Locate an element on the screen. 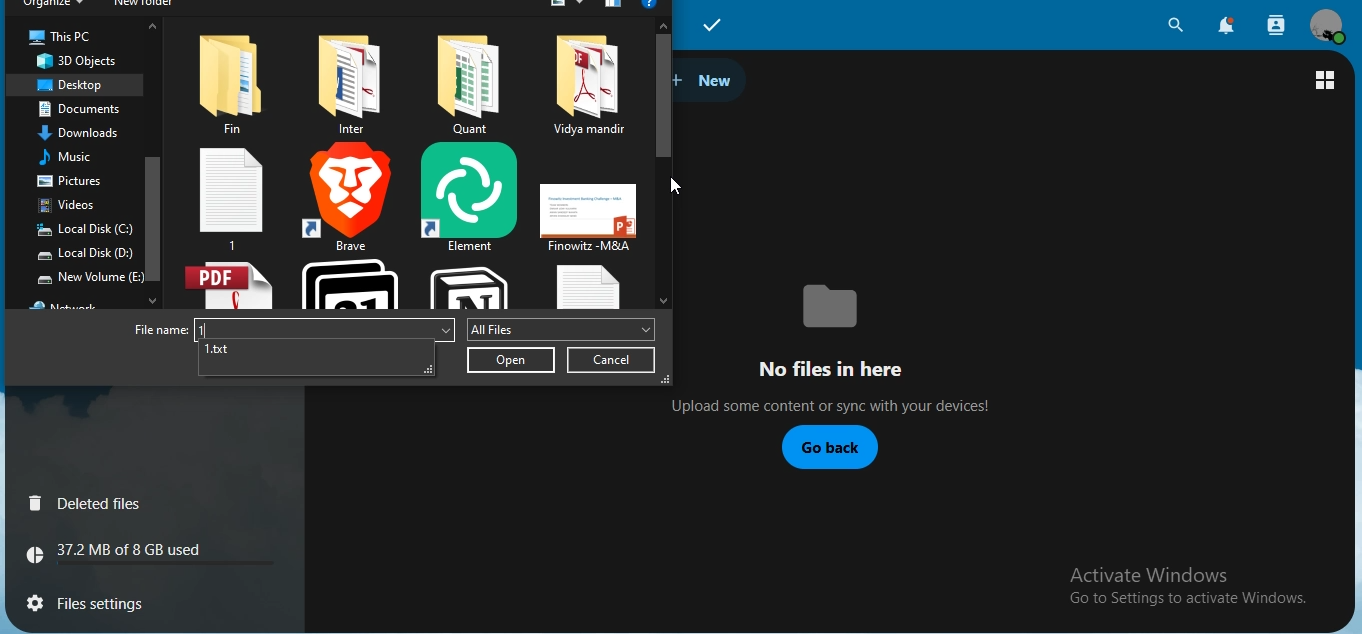 The image size is (1362, 634). view profile is located at coordinates (1327, 26).